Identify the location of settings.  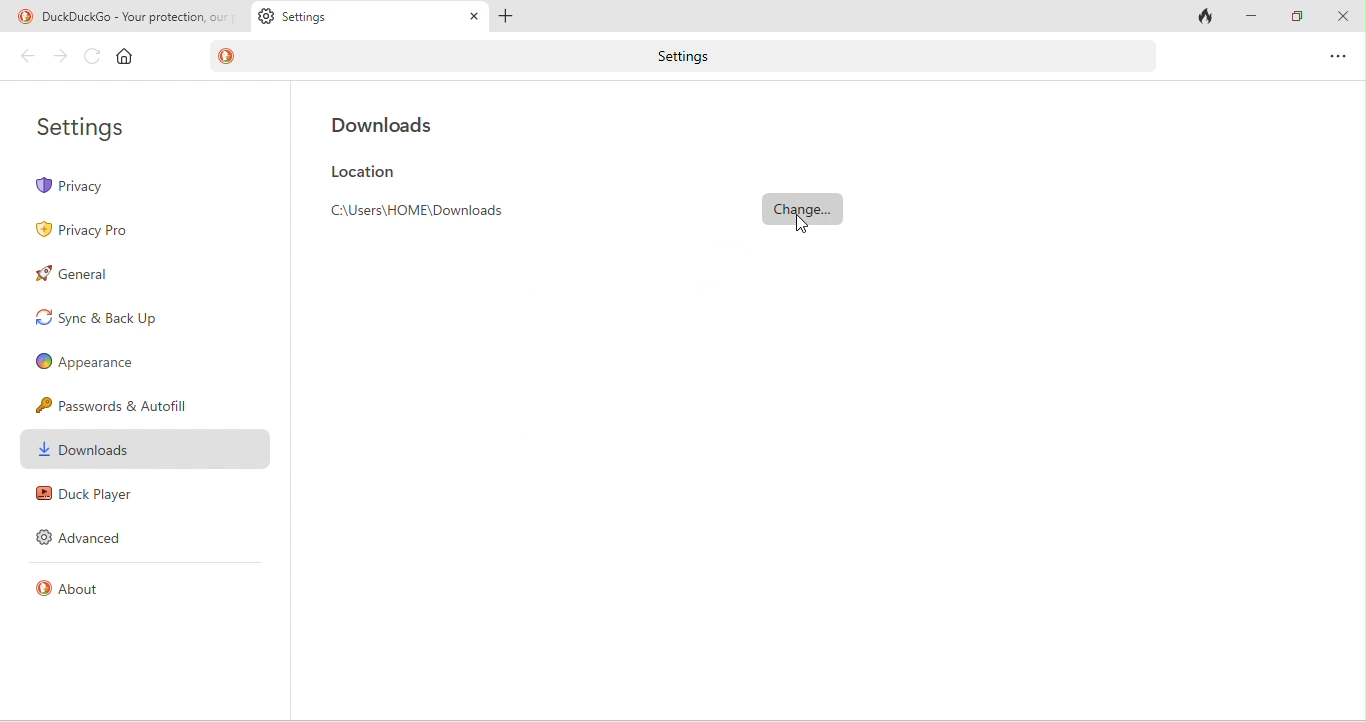
(93, 126).